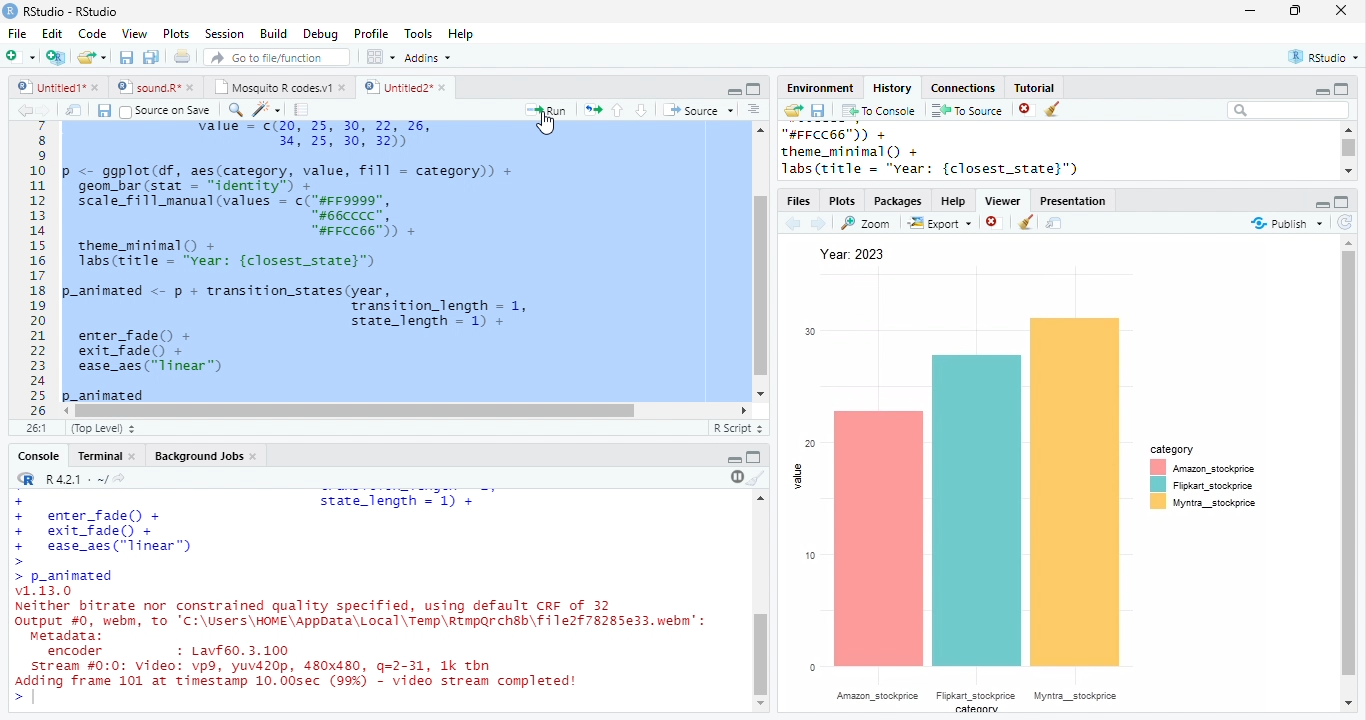  I want to click on theme_minimal() +labs(title = “Year: {closest_state}”), so click(240, 256).